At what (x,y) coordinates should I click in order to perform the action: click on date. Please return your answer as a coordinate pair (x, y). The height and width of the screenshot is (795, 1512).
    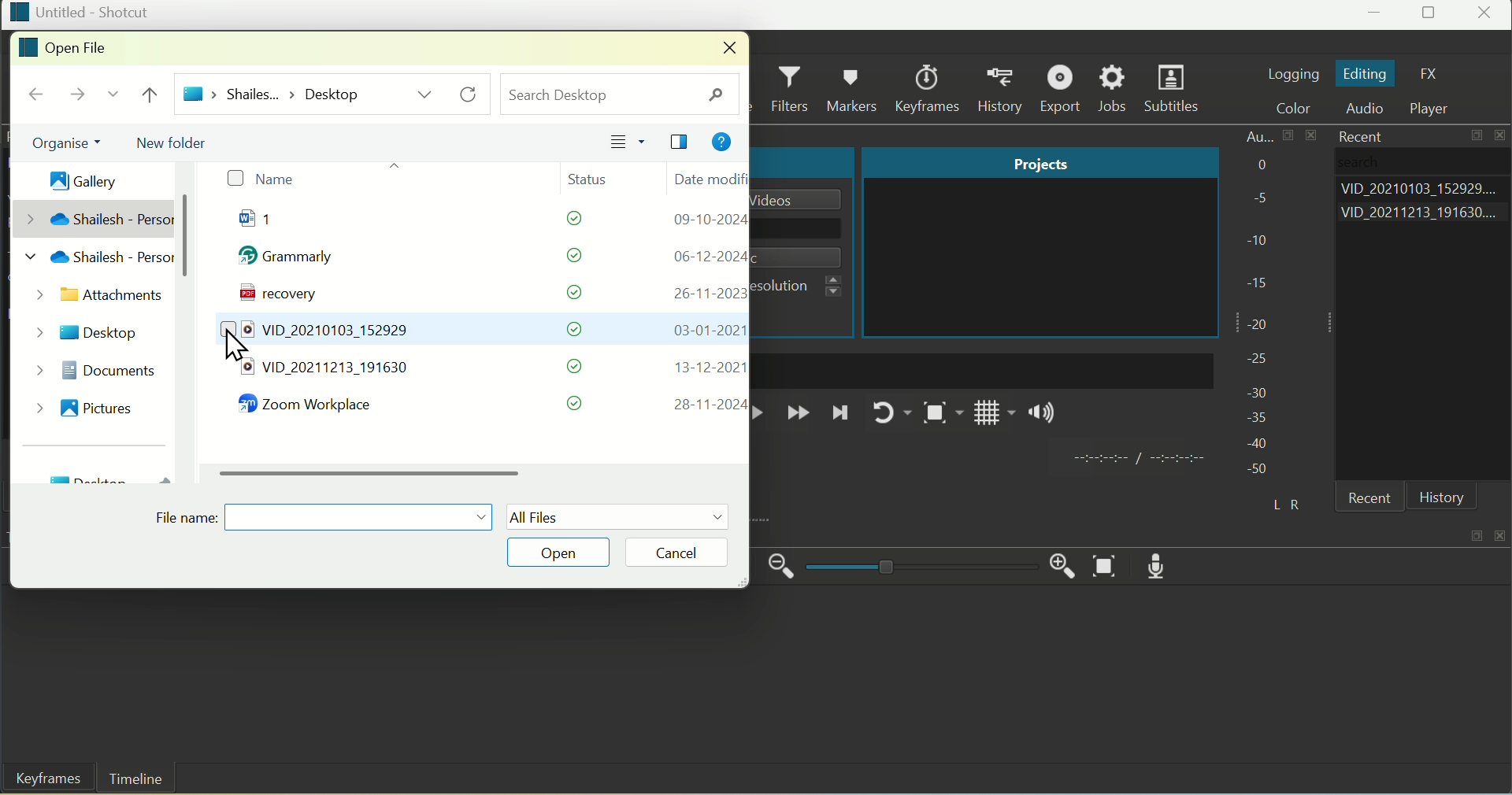
    Looking at the image, I should click on (703, 293).